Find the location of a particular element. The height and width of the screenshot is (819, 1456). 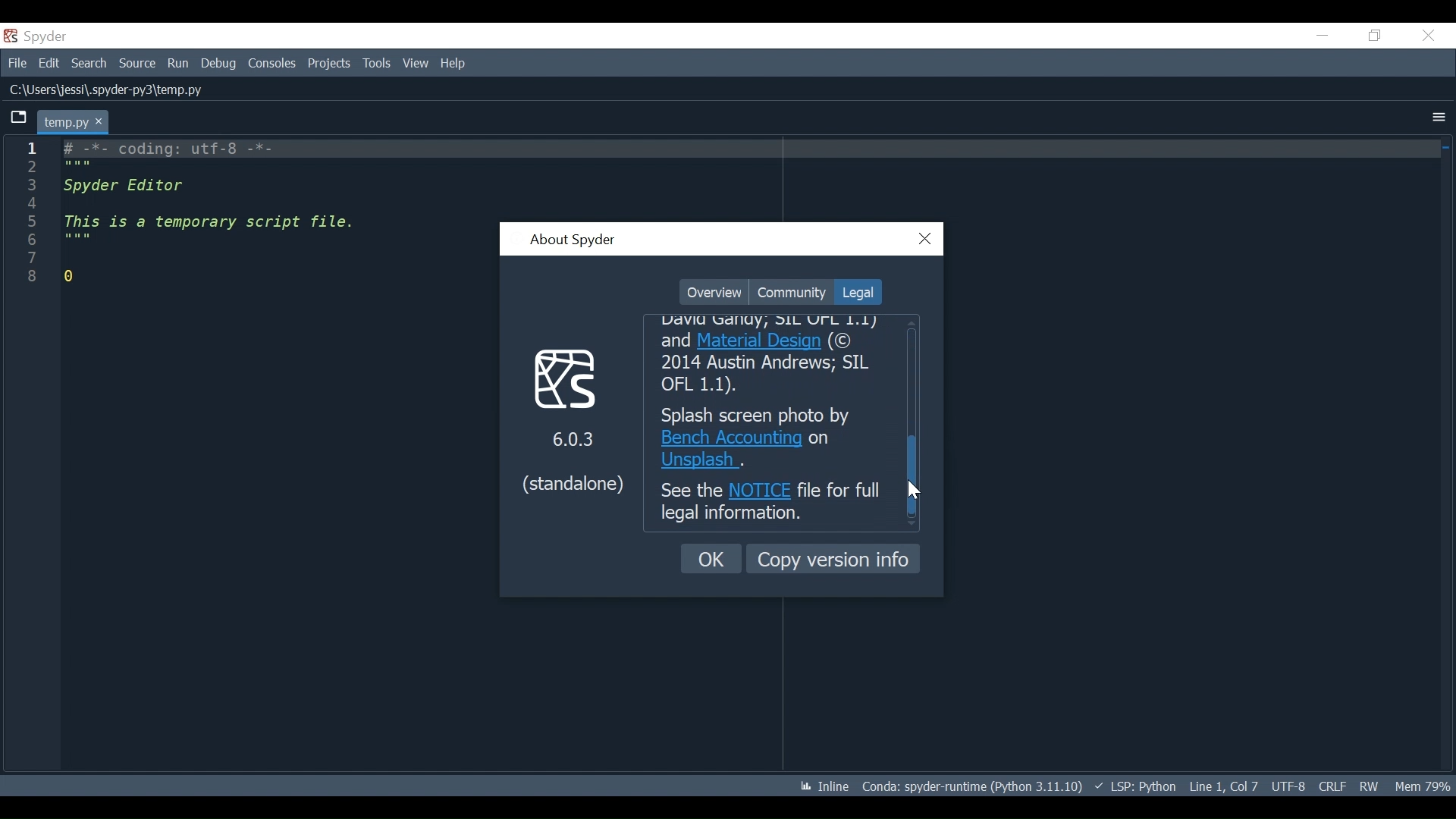

Restore is located at coordinates (1376, 35).